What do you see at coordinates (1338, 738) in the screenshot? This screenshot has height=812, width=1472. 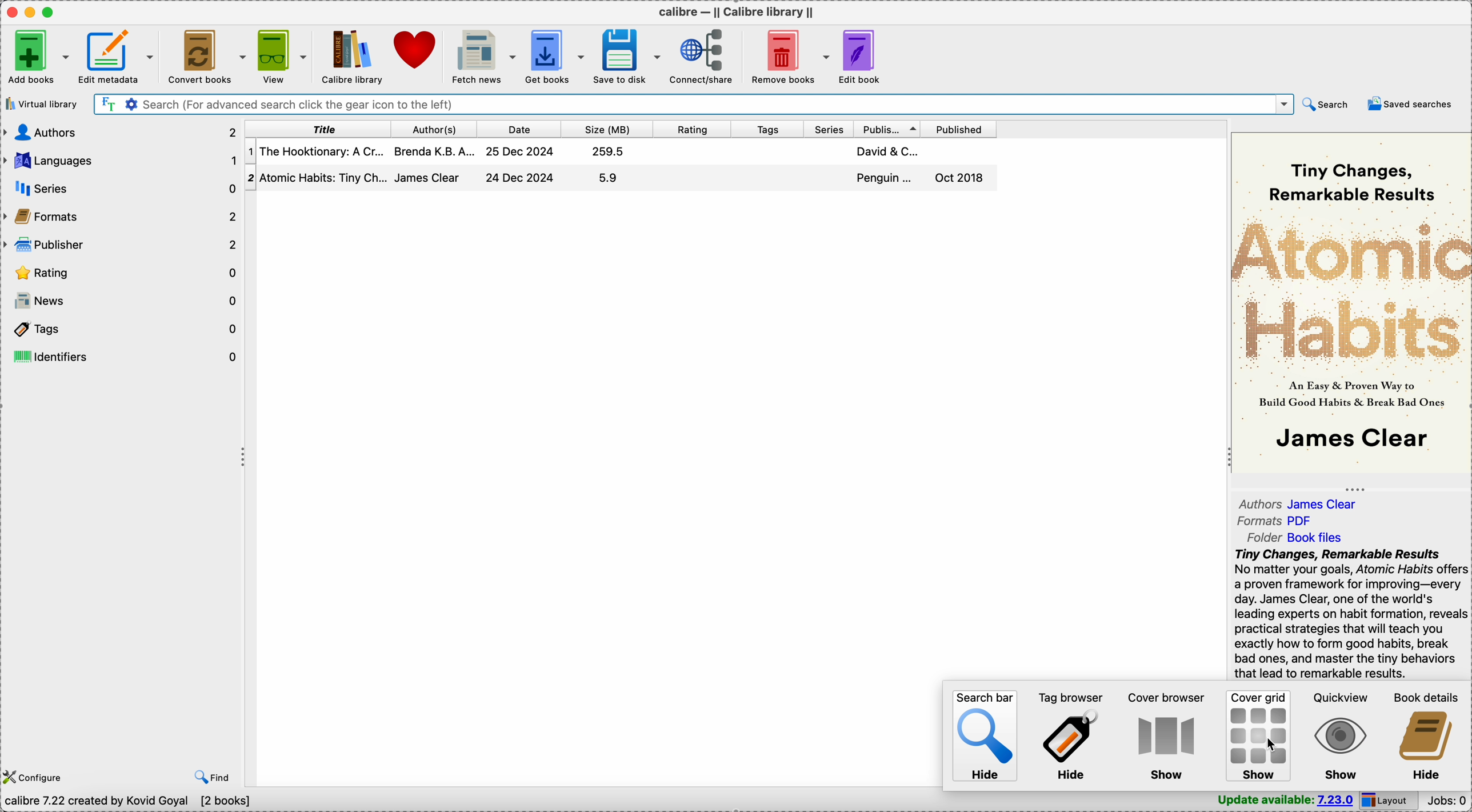 I see `show quickview` at bounding box center [1338, 738].